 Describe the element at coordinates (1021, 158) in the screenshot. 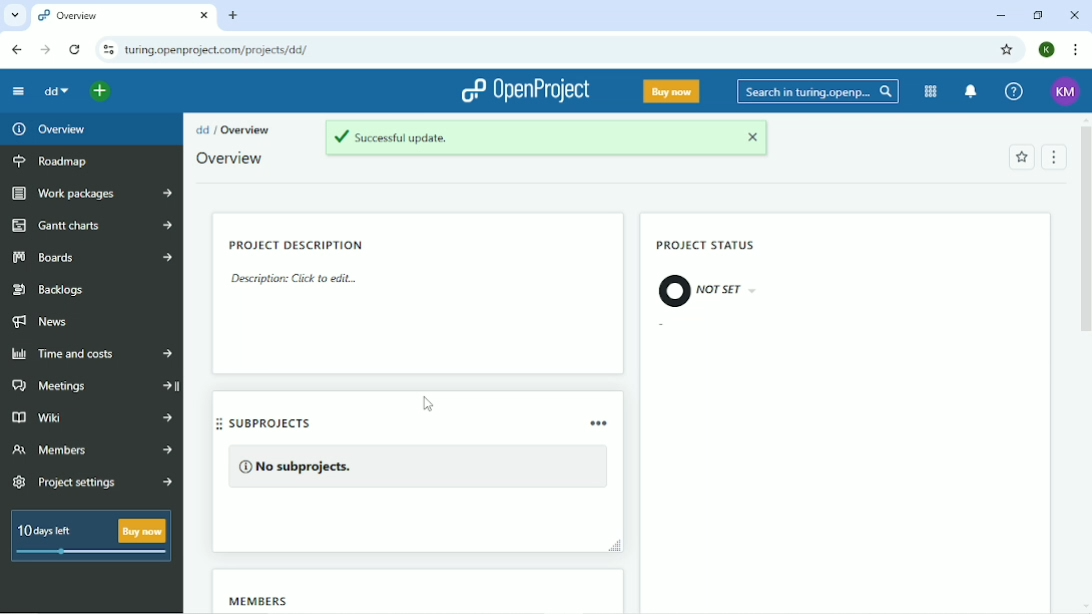

I see `Add to favorites` at that location.